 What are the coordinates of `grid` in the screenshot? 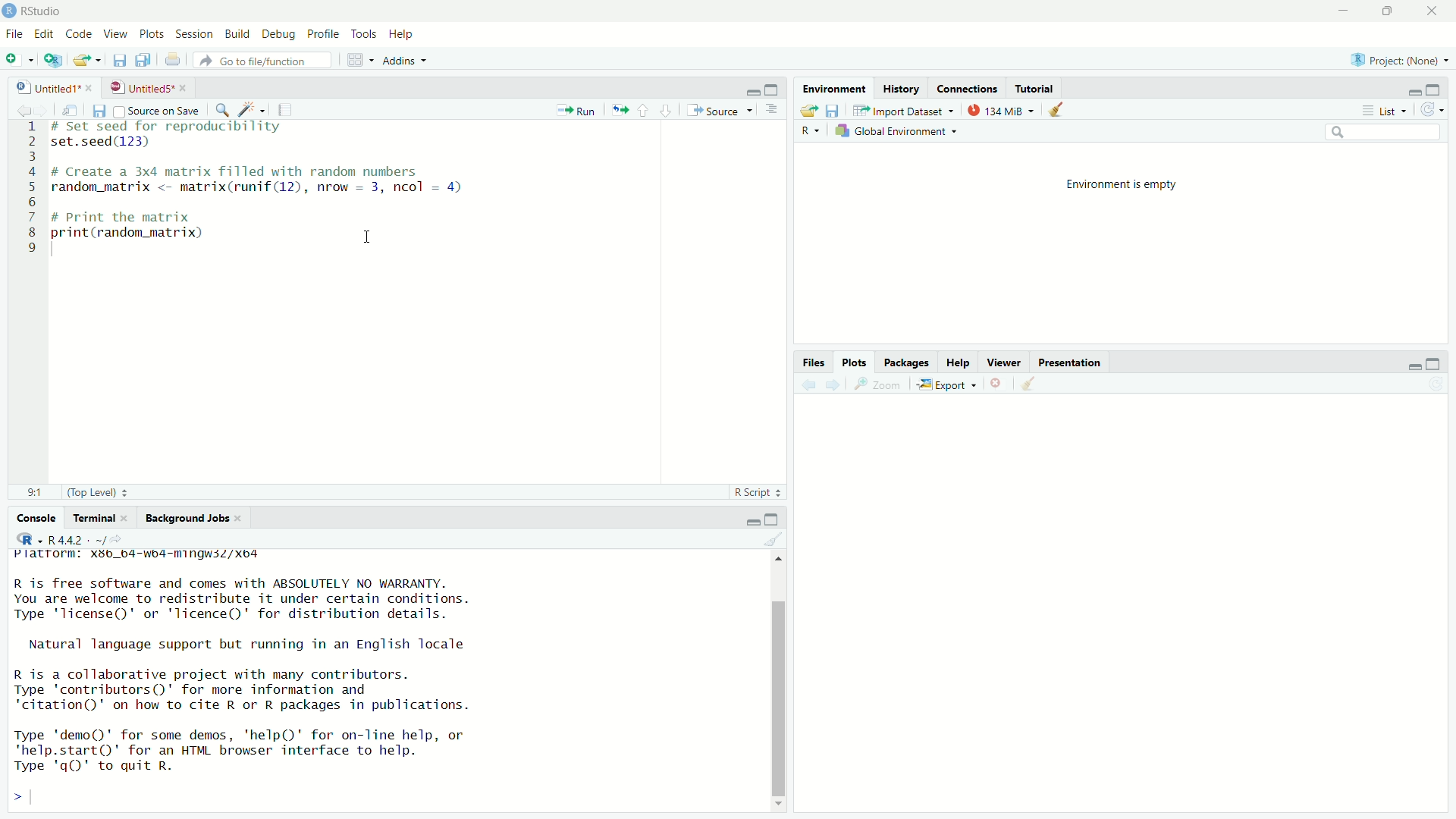 It's located at (358, 61).